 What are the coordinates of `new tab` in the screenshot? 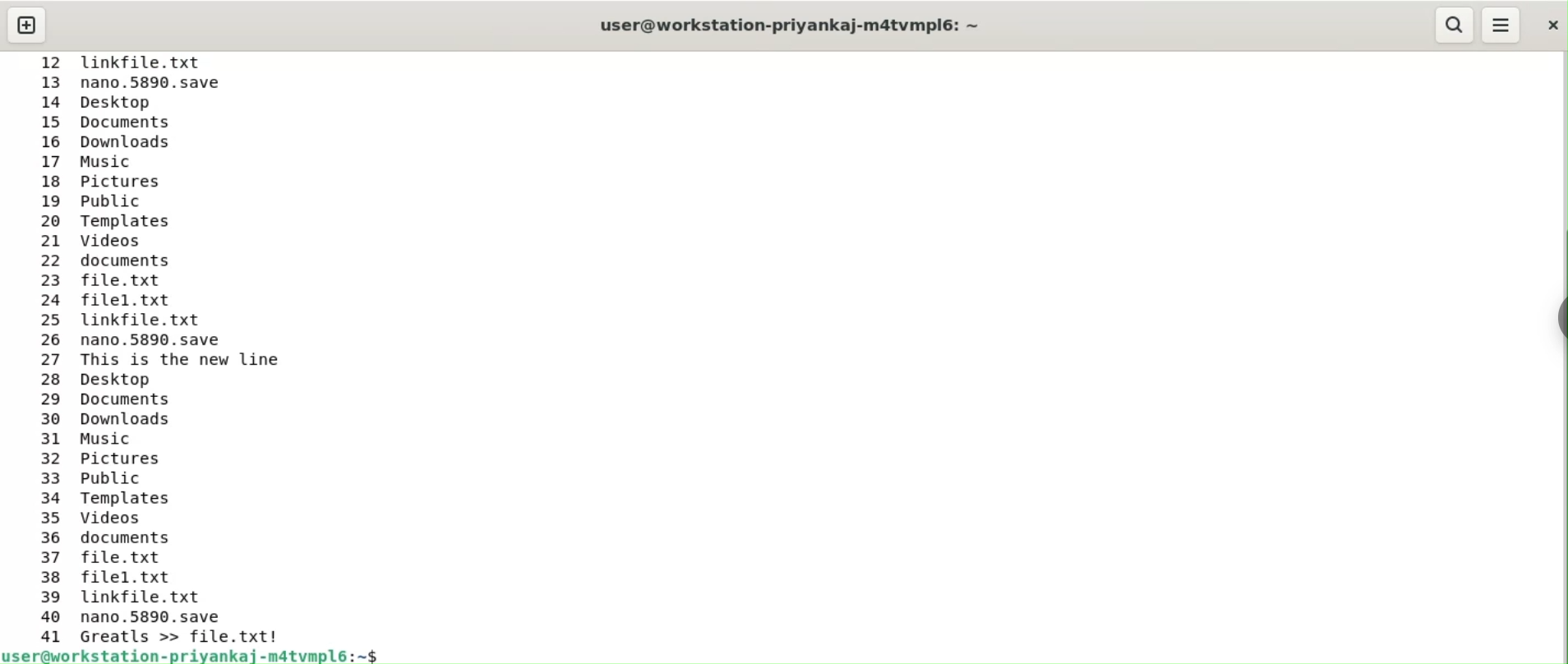 It's located at (27, 24).